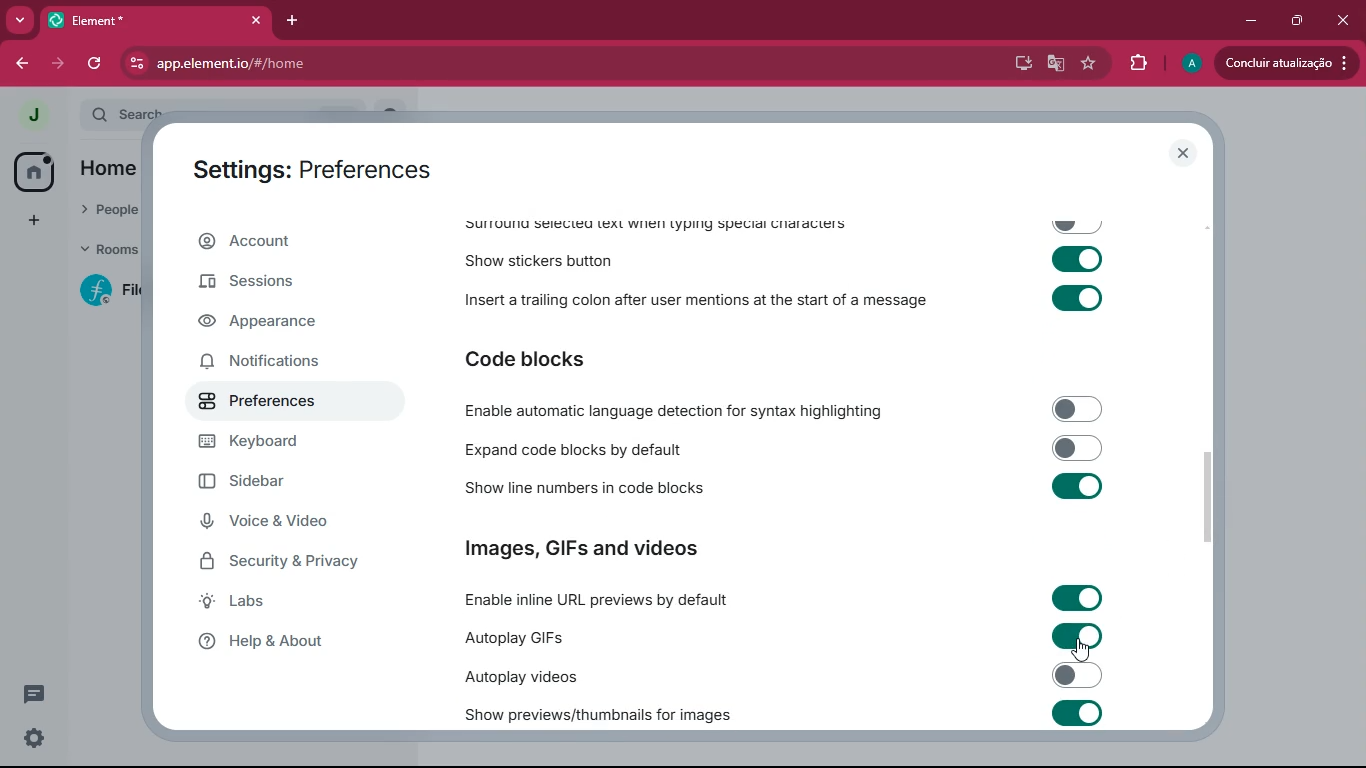 The width and height of the screenshot is (1366, 768). I want to click on Show stickers button, so click(785, 263).